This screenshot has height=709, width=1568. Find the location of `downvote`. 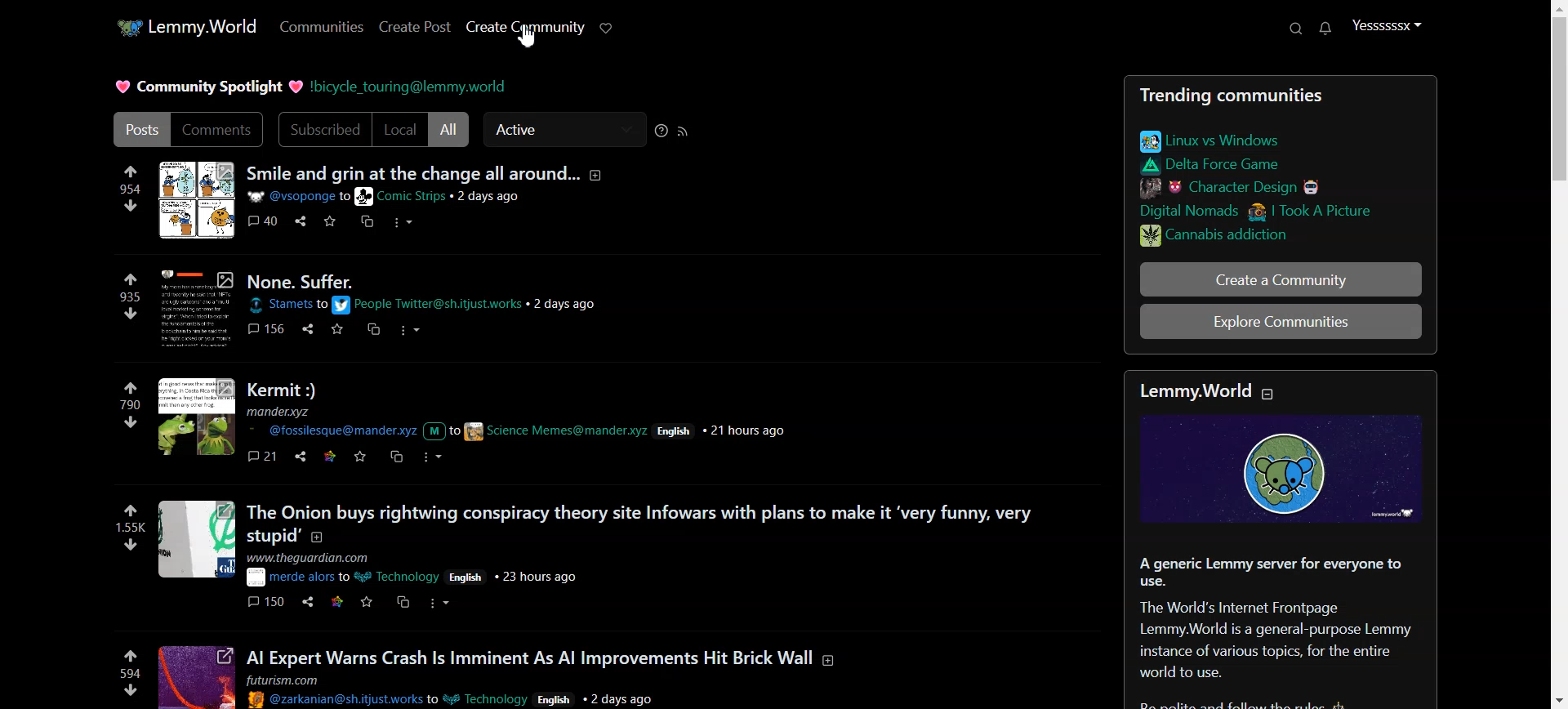

downvote is located at coordinates (134, 206).